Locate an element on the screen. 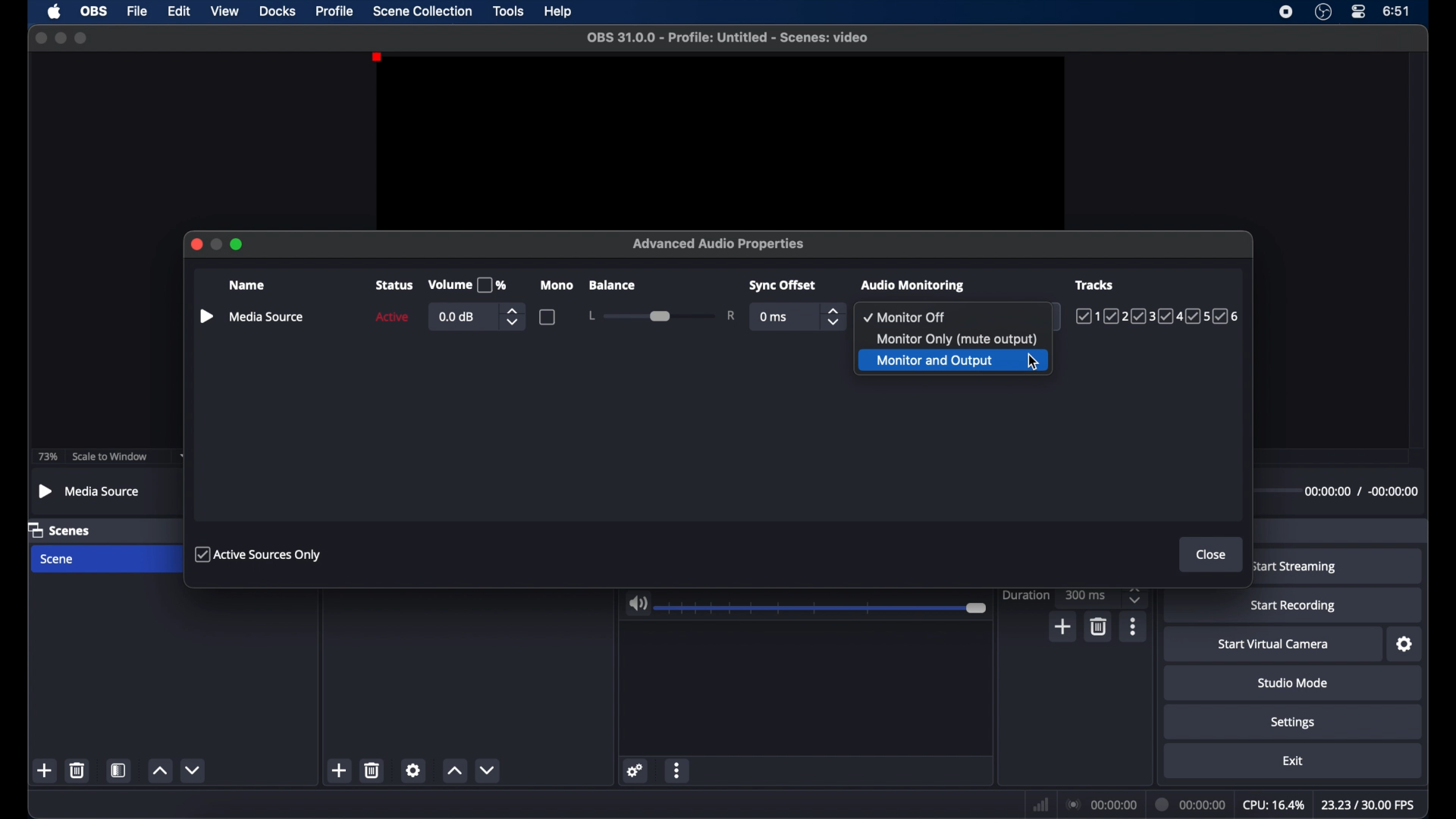  name is located at coordinates (246, 285).